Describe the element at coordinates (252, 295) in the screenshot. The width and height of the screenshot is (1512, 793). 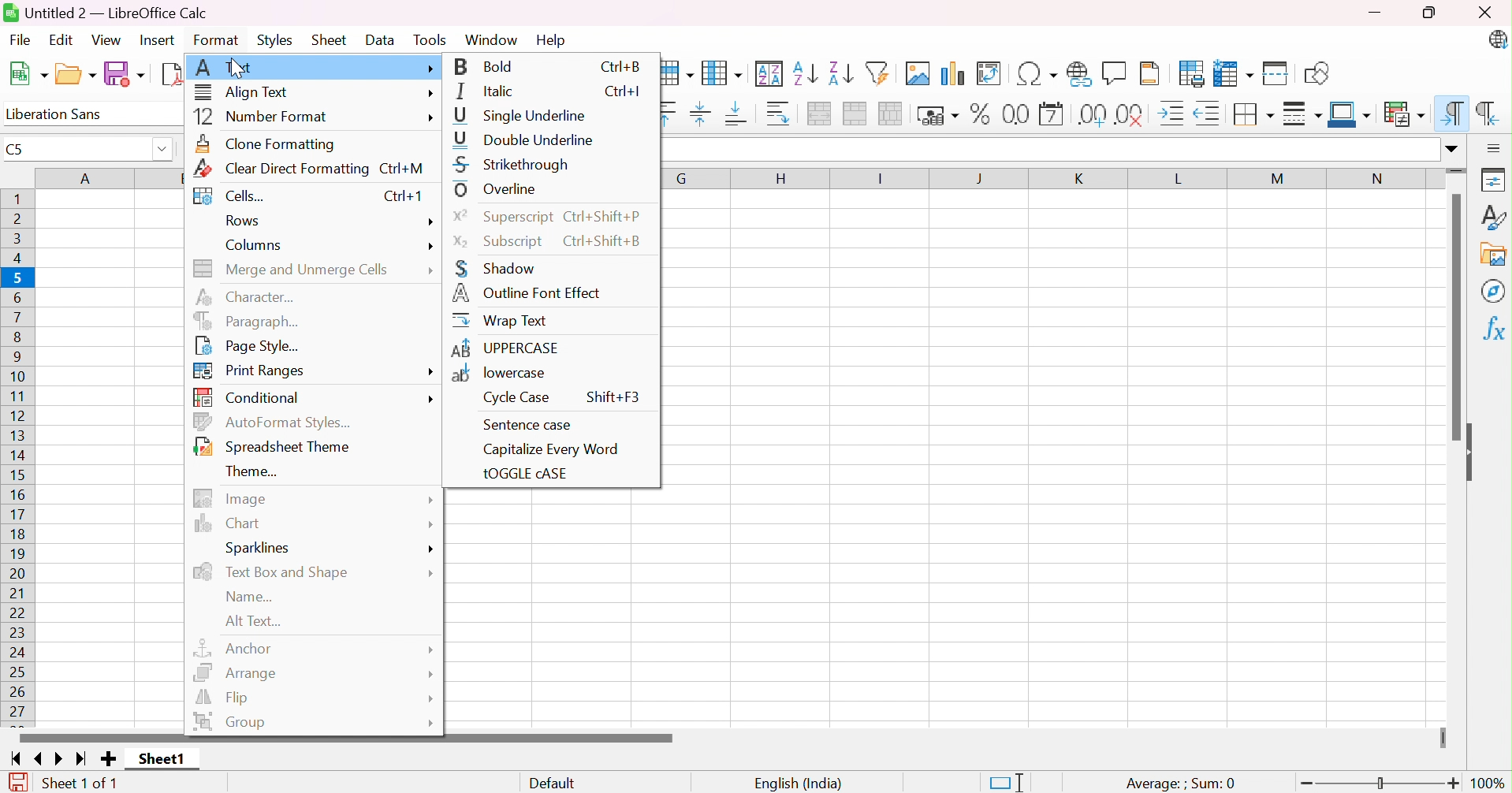
I see `Character` at that location.